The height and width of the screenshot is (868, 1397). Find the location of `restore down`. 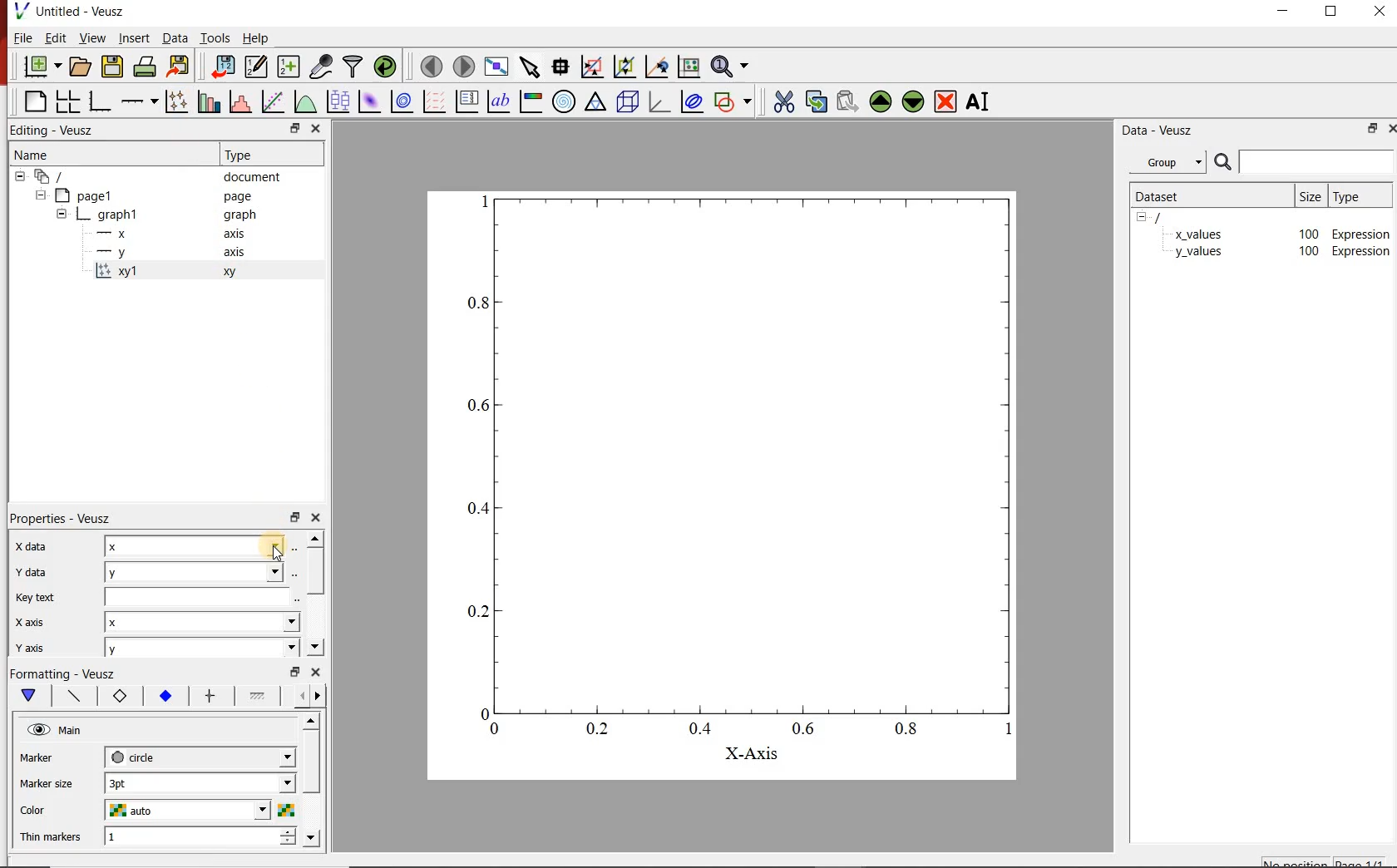

restore down is located at coordinates (295, 671).